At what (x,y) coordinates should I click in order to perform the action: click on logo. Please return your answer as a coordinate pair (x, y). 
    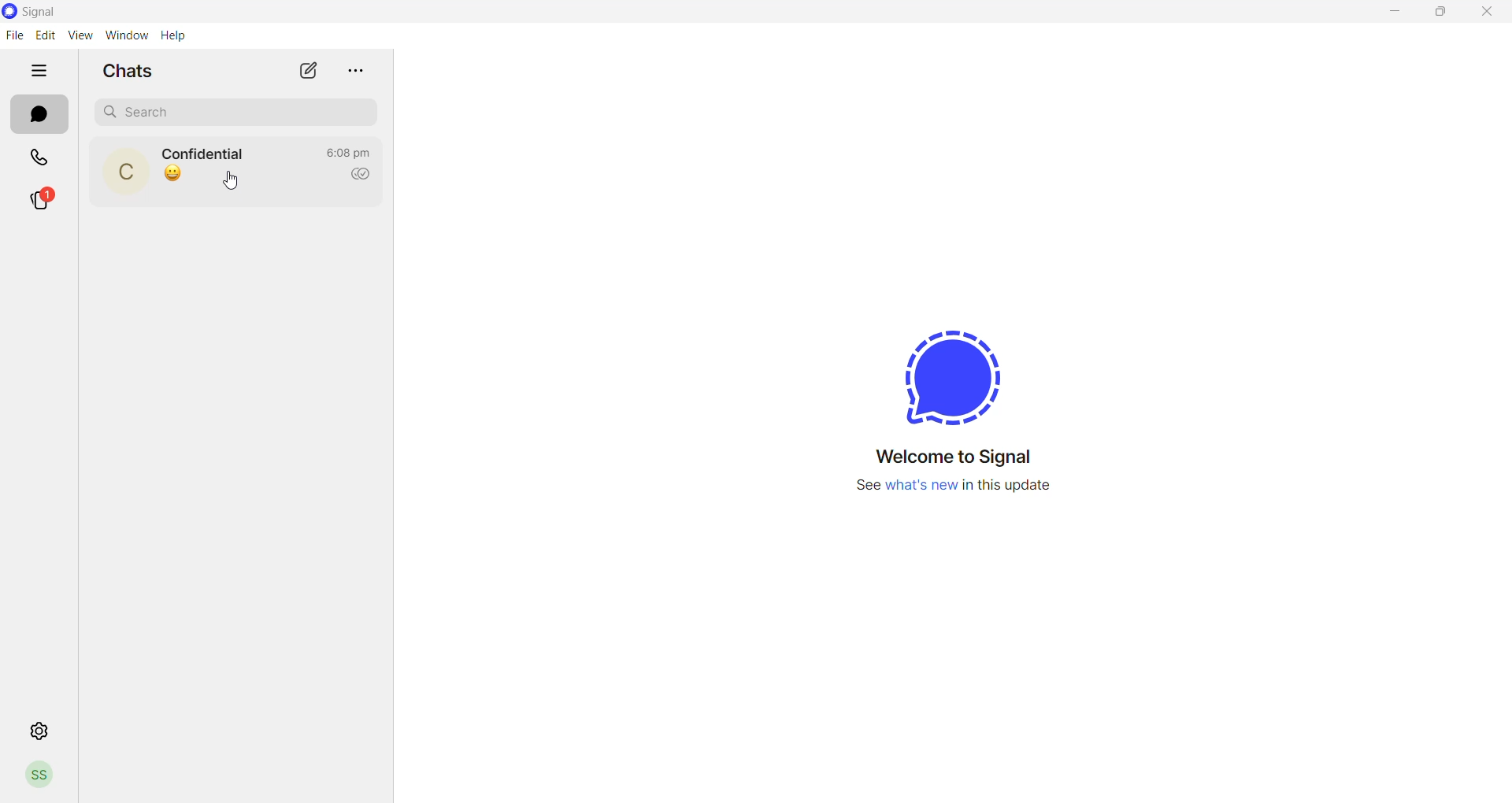
    Looking at the image, I should click on (939, 372).